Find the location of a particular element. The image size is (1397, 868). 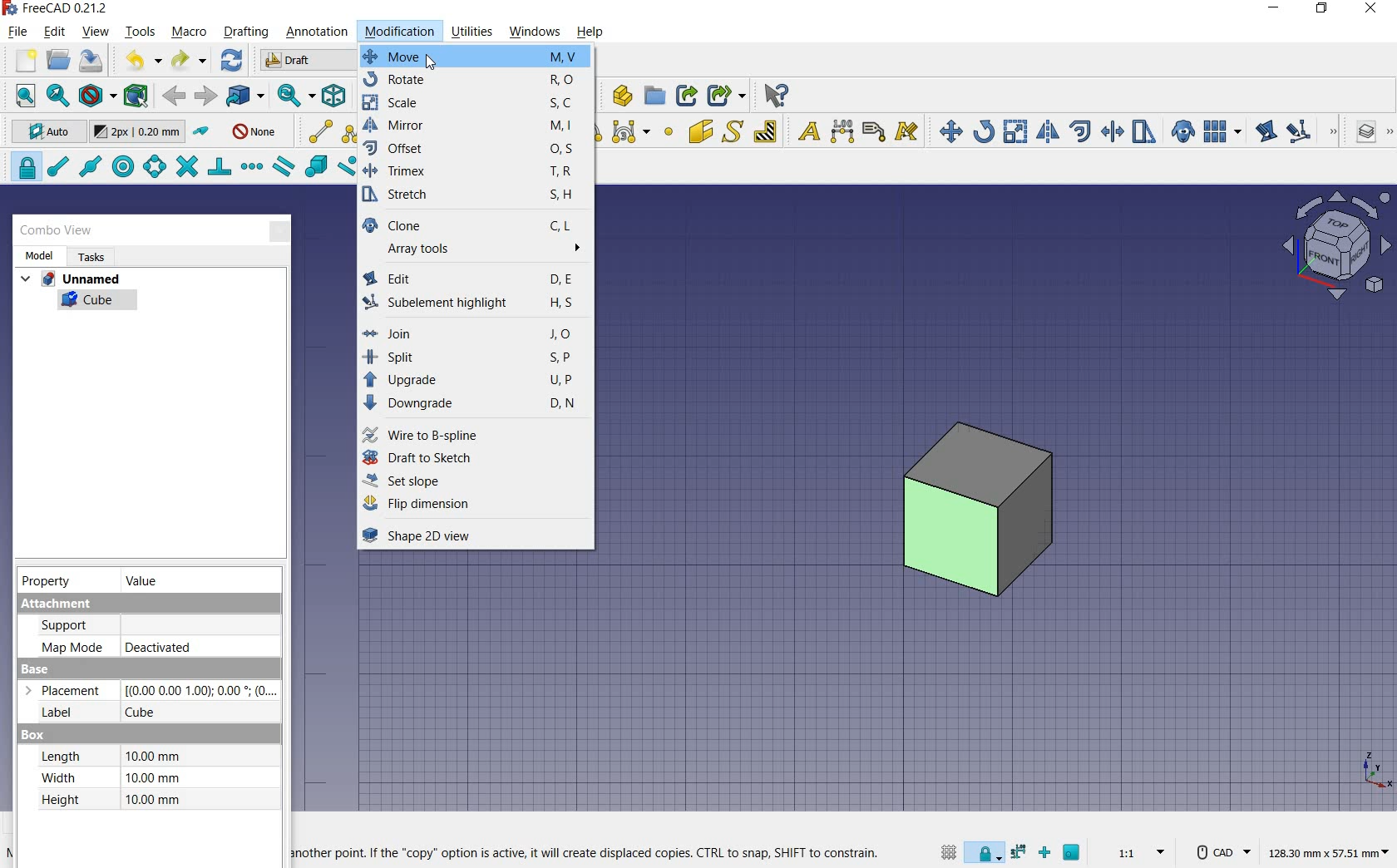

view is located at coordinates (96, 31).